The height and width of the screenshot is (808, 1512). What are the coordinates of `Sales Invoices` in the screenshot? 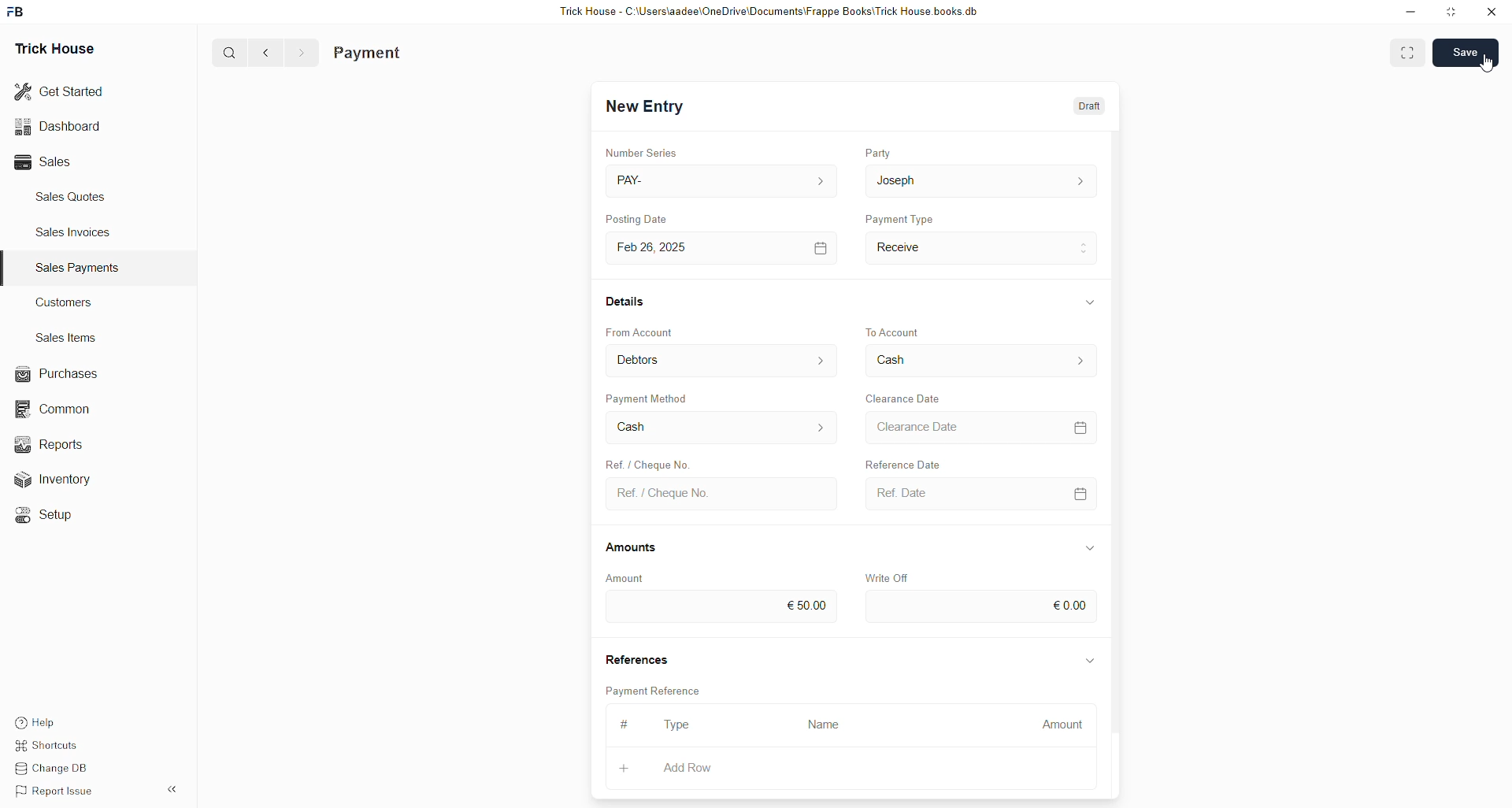 It's located at (78, 232).